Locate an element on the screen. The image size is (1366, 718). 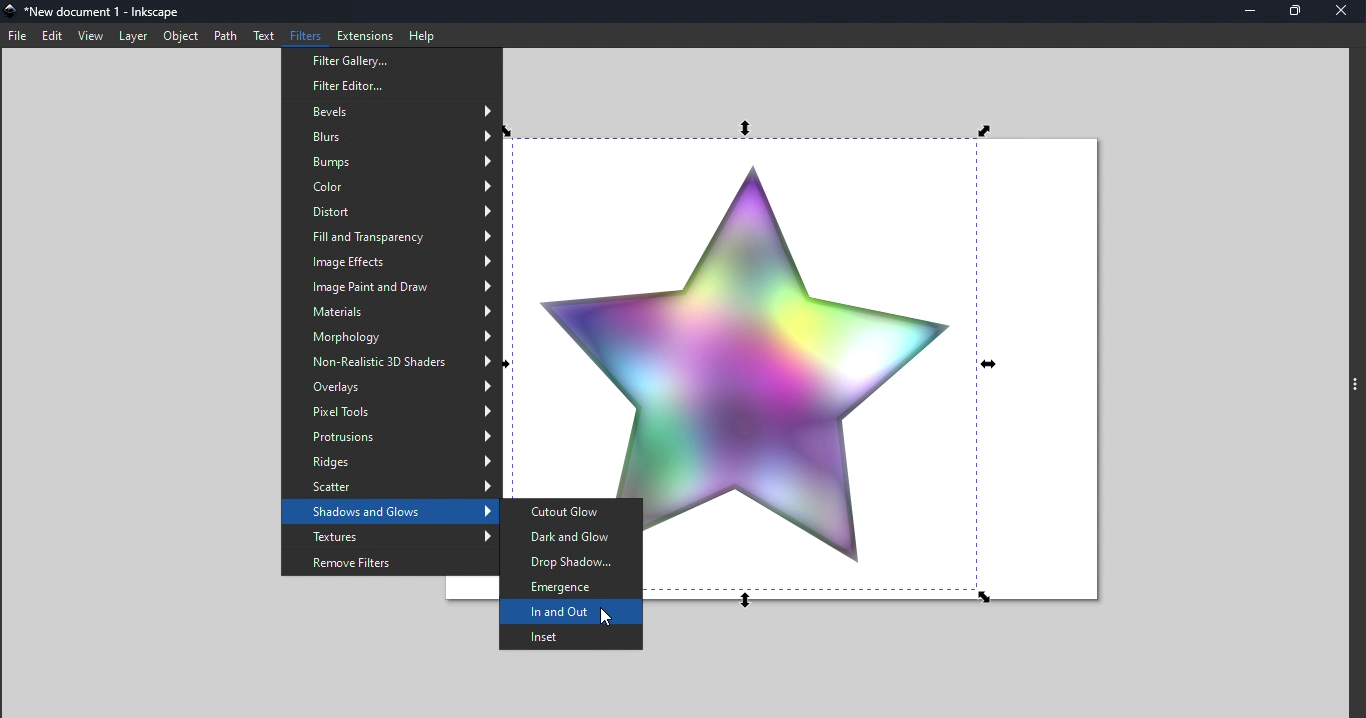
Bumps is located at coordinates (393, 160).